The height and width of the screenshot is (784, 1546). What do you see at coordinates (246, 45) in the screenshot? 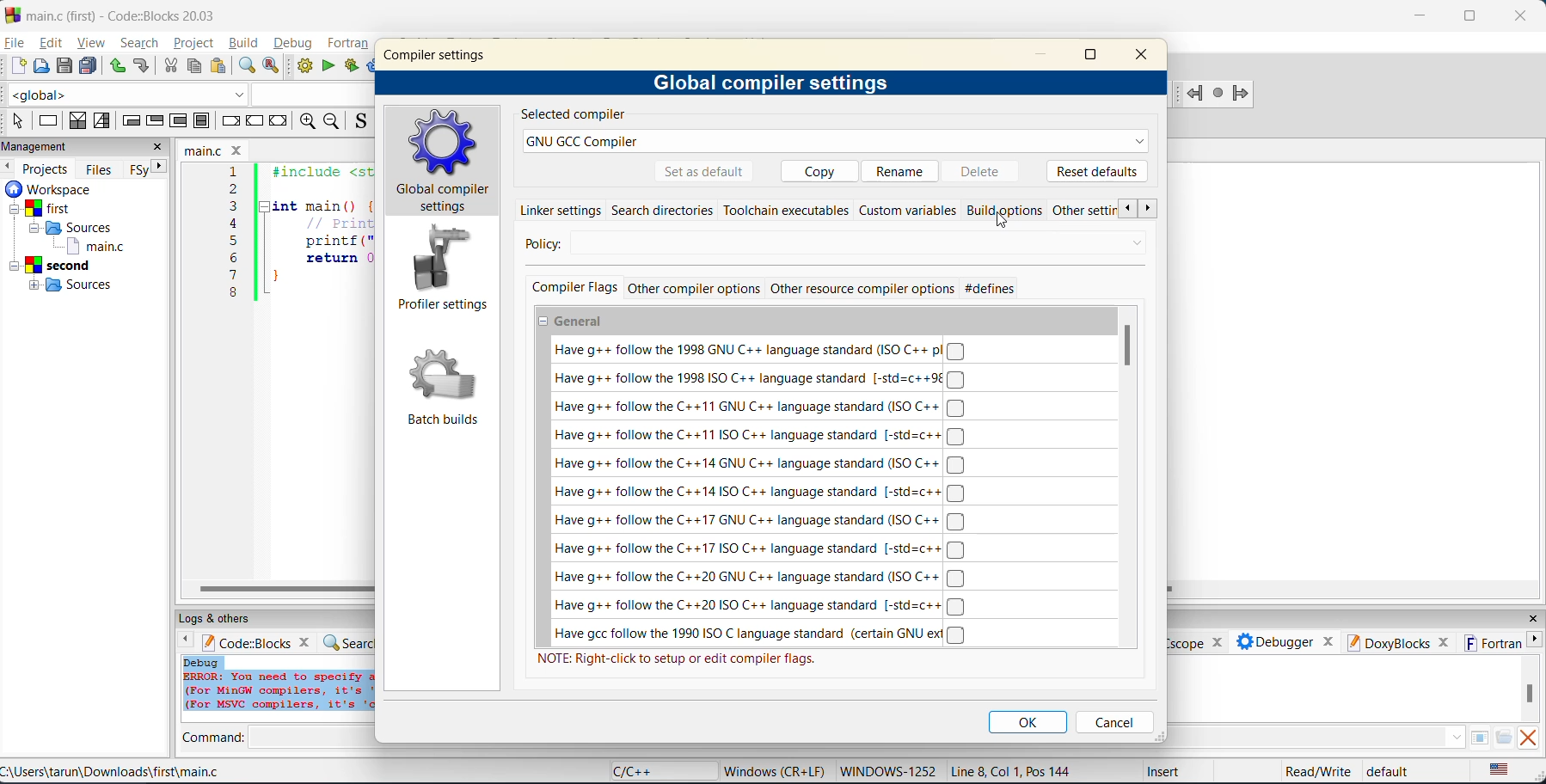
I see `build` at bounding box center [246, 45].